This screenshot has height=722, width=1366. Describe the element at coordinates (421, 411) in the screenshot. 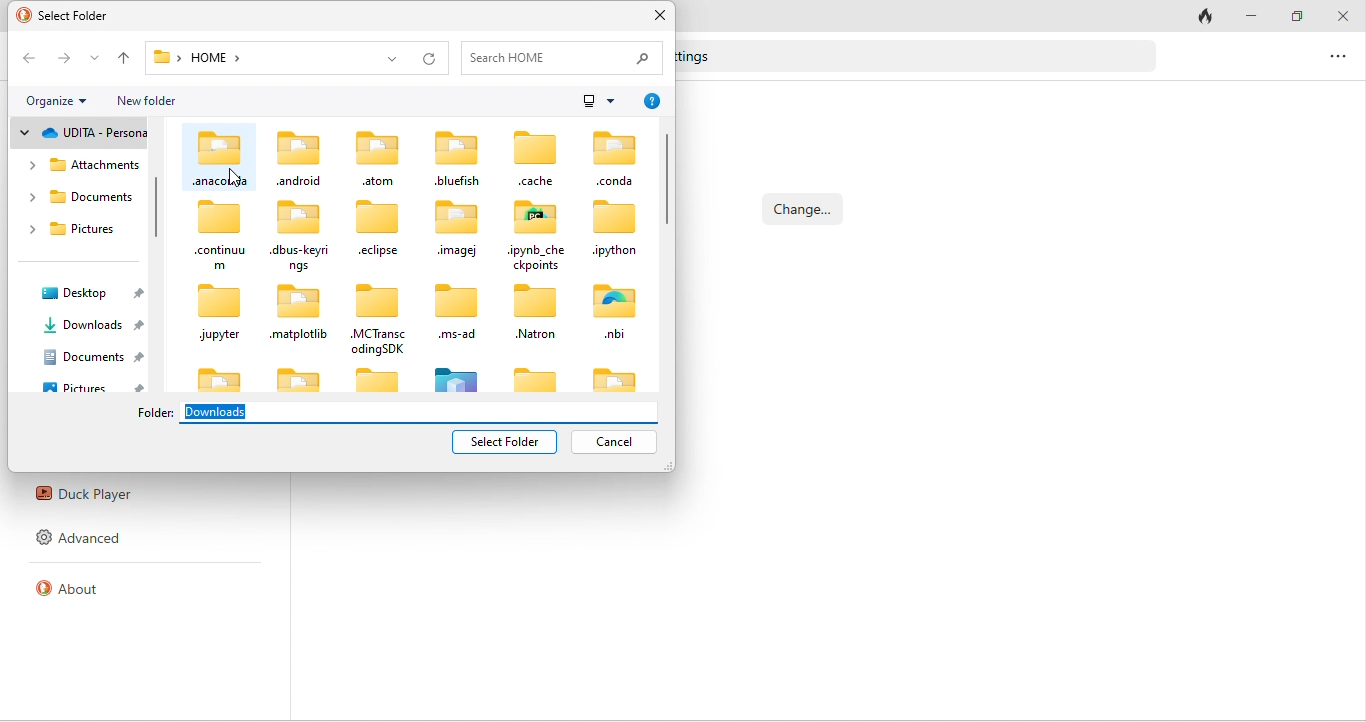

I see `downloads` at that location.